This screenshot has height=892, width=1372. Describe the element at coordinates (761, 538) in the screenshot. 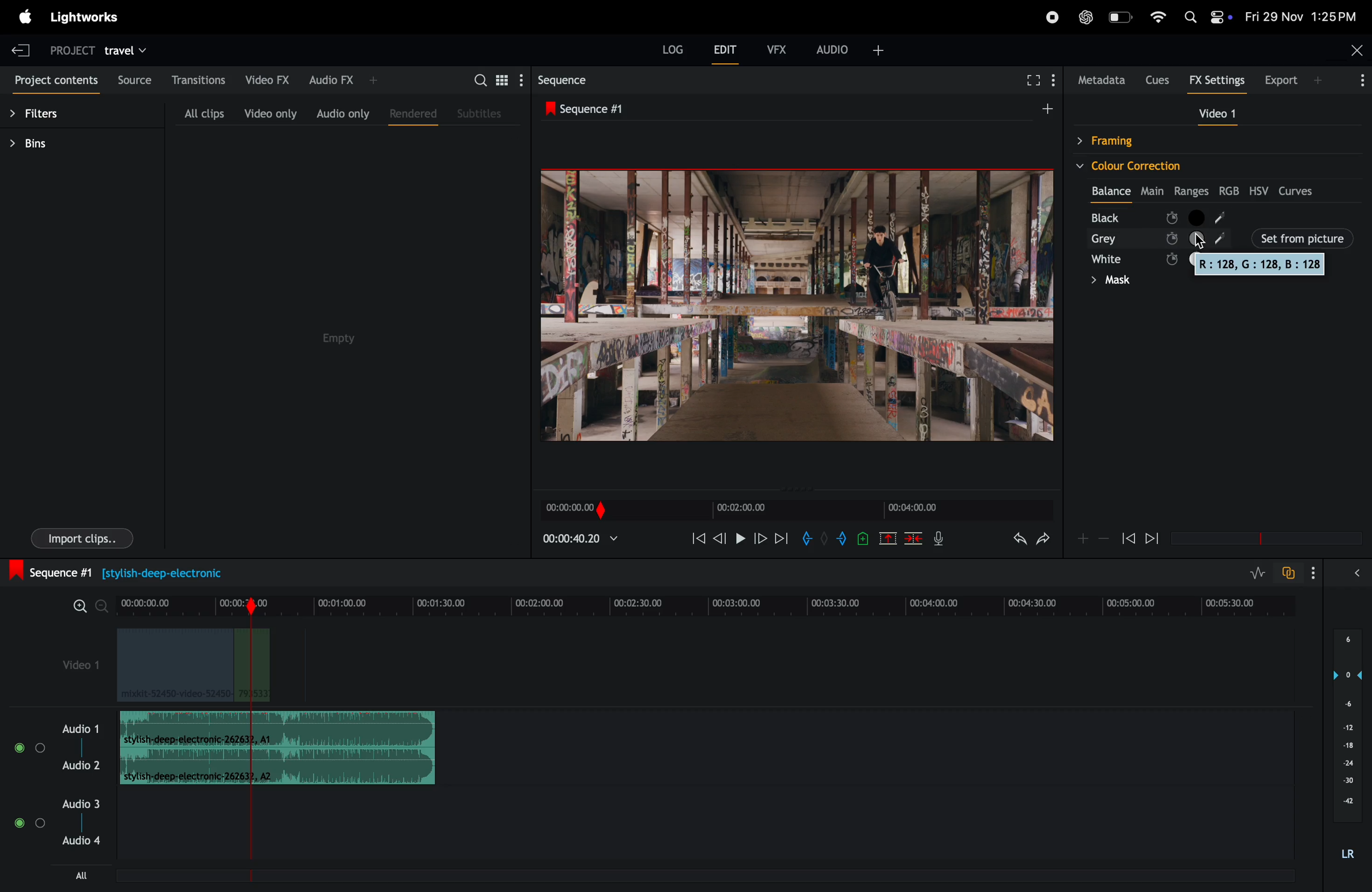

I see `nextframe` at that location.